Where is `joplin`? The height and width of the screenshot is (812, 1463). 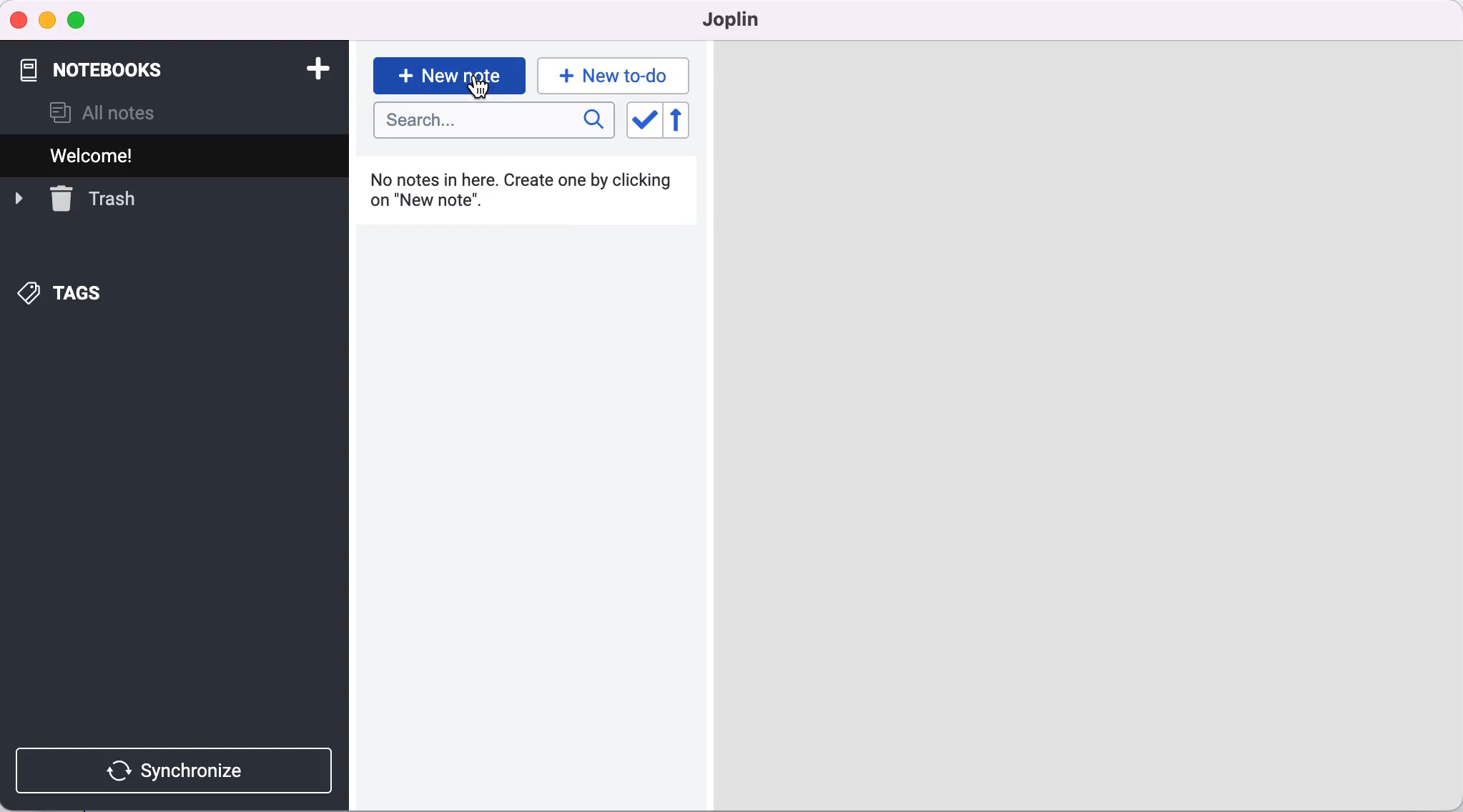
joplin is located at coordinates (741, 20).